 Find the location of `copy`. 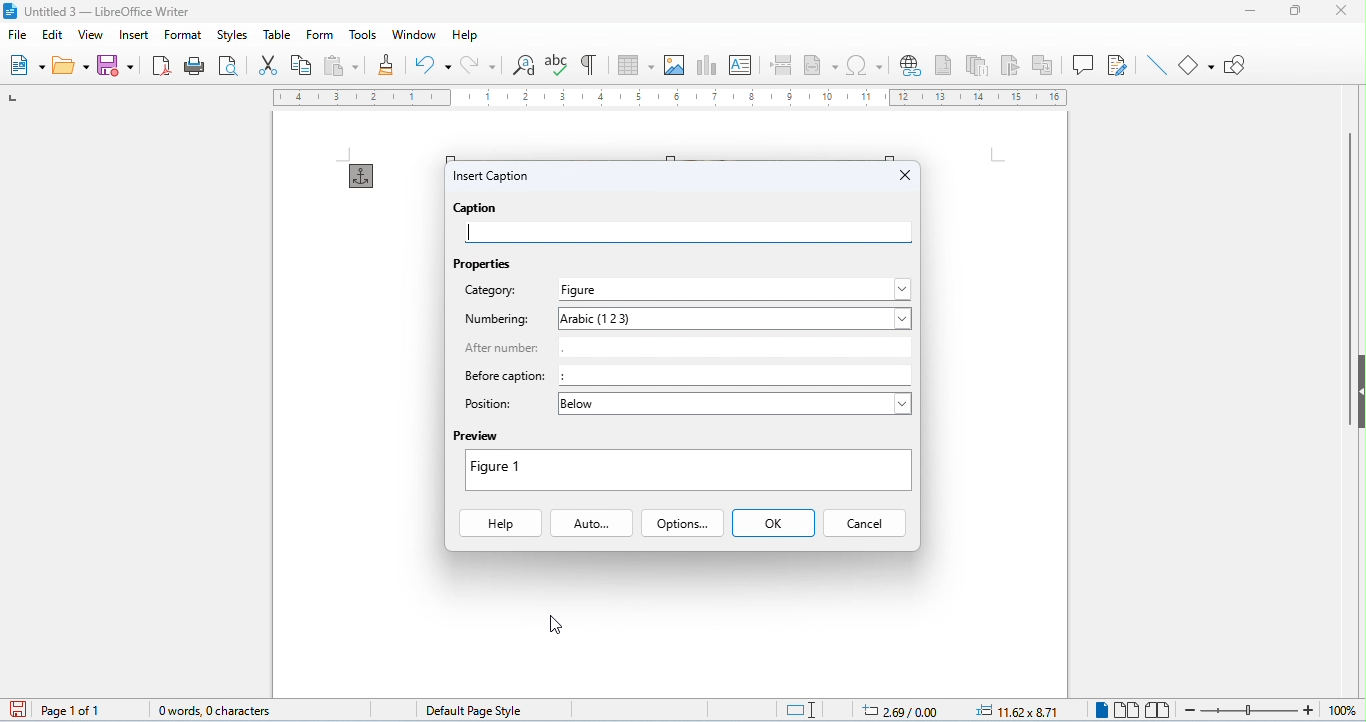

copy is located at coordinates (302, 66).